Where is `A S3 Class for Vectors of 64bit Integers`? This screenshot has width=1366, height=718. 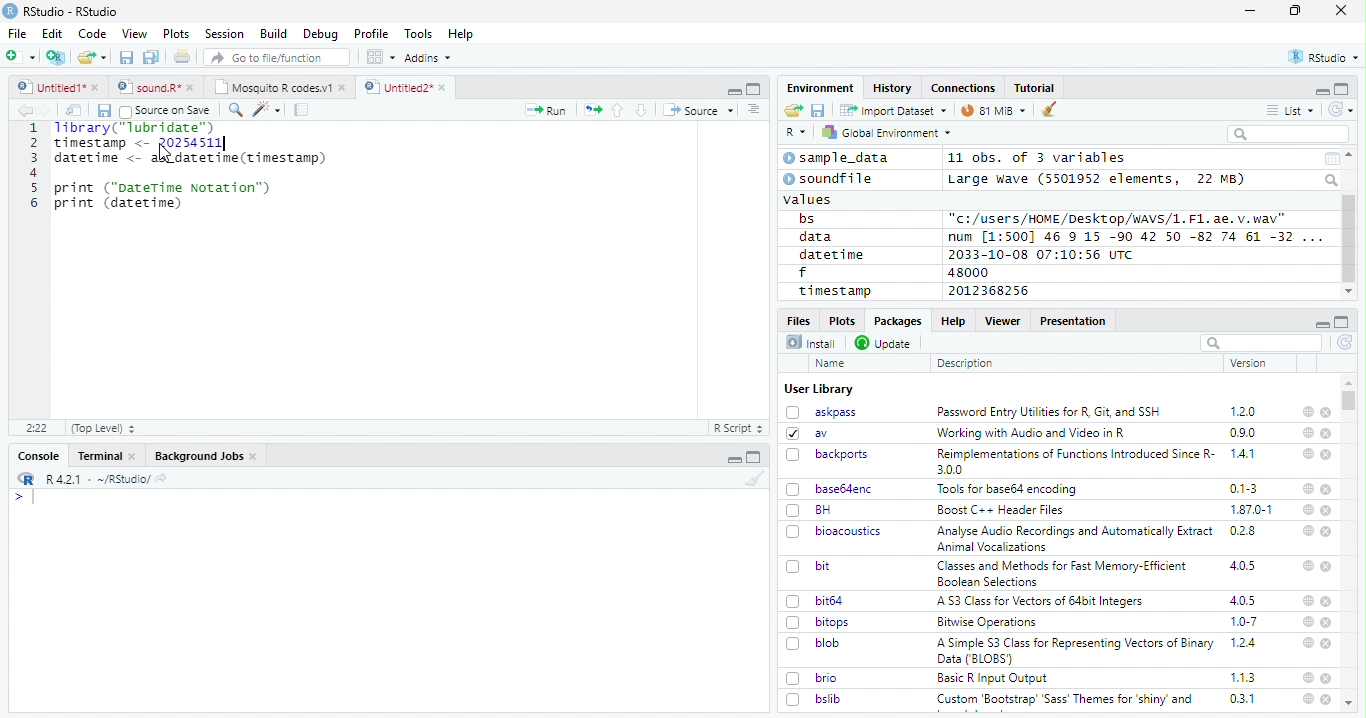
A S3 Class for Vectors of 64bit Integers is located at coordinates (1042, 602).